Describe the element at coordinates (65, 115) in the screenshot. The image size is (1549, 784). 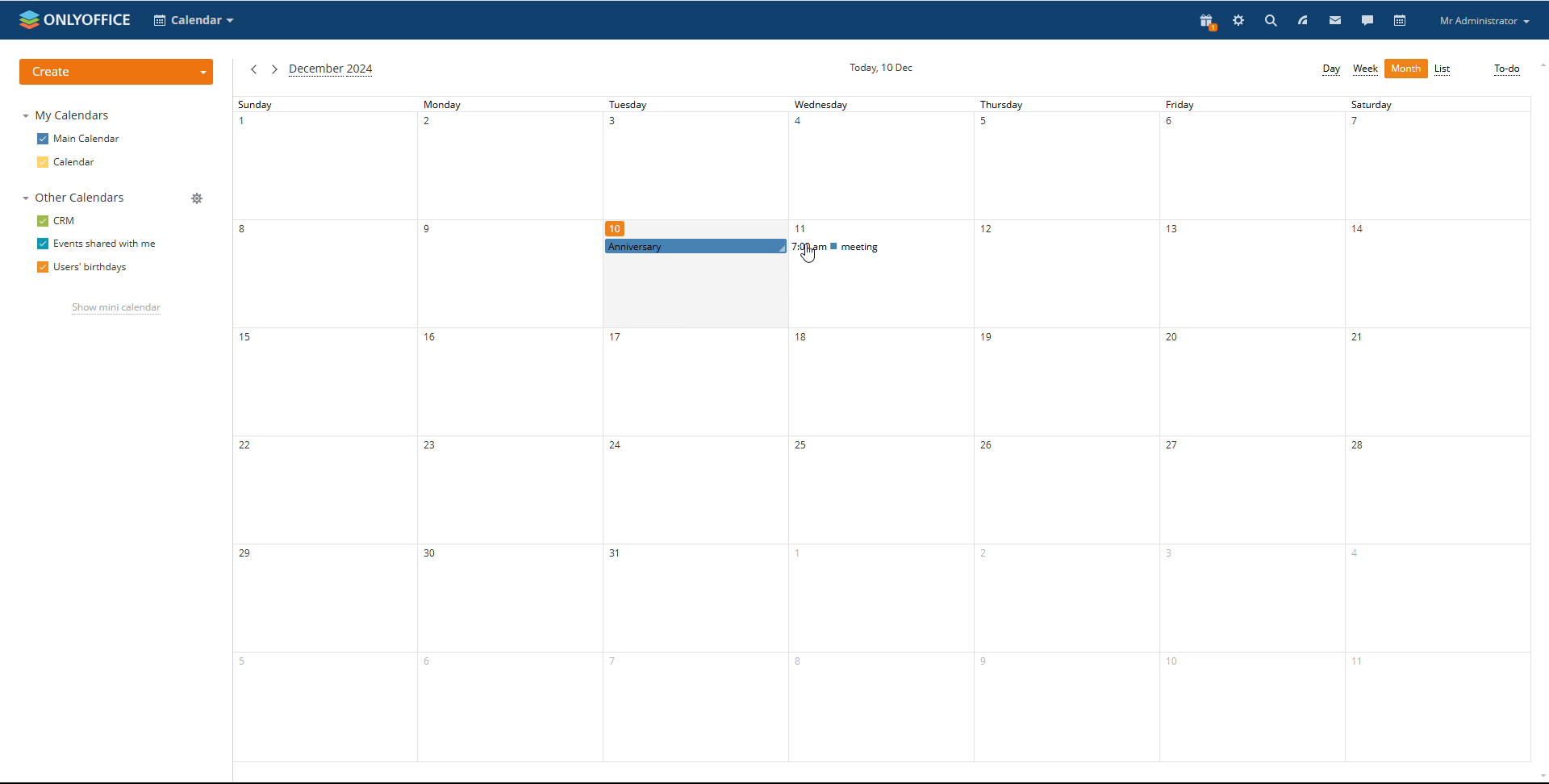
I see `my calendars` at that location.